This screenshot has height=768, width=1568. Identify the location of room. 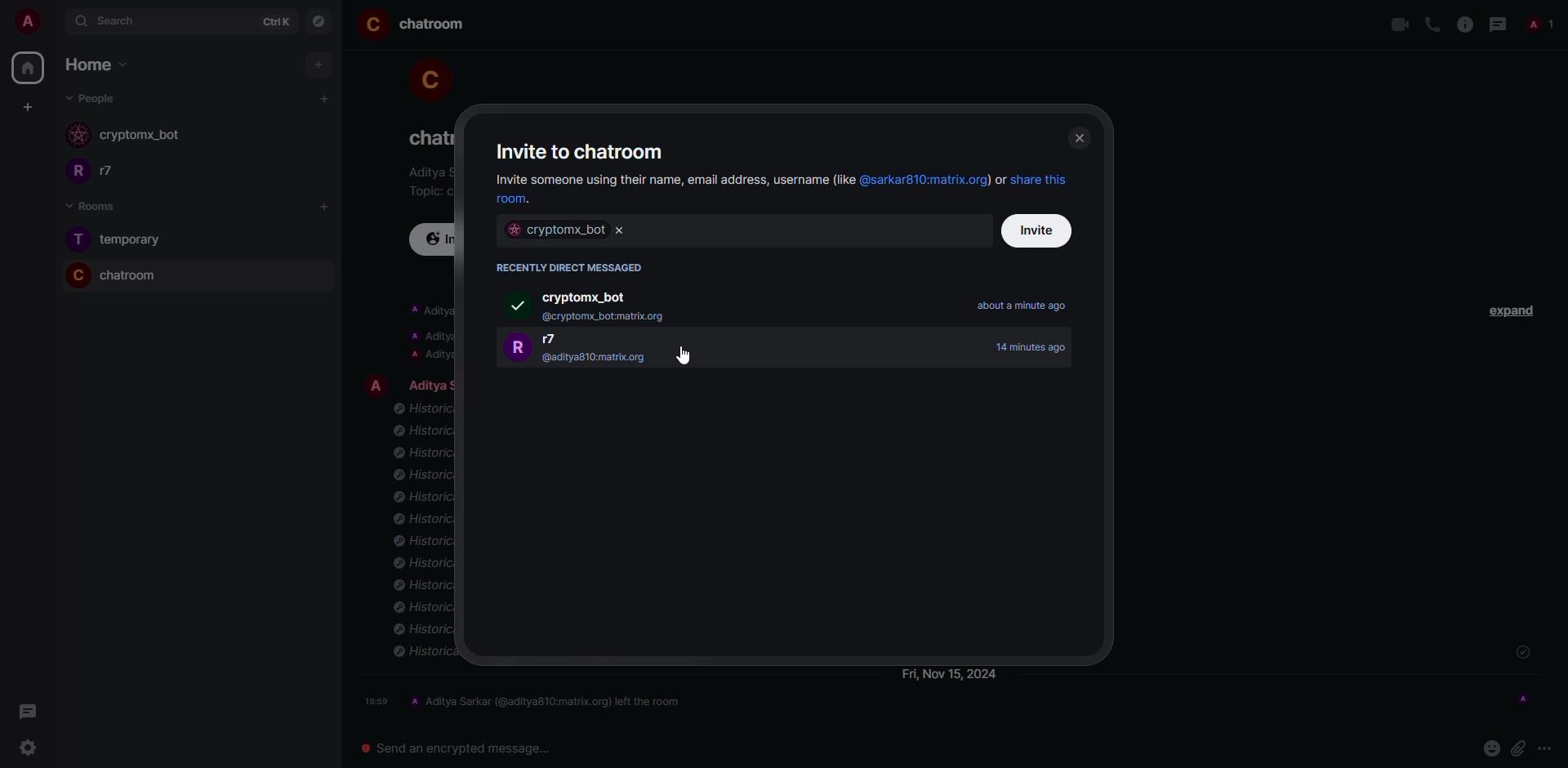
(434, 25).